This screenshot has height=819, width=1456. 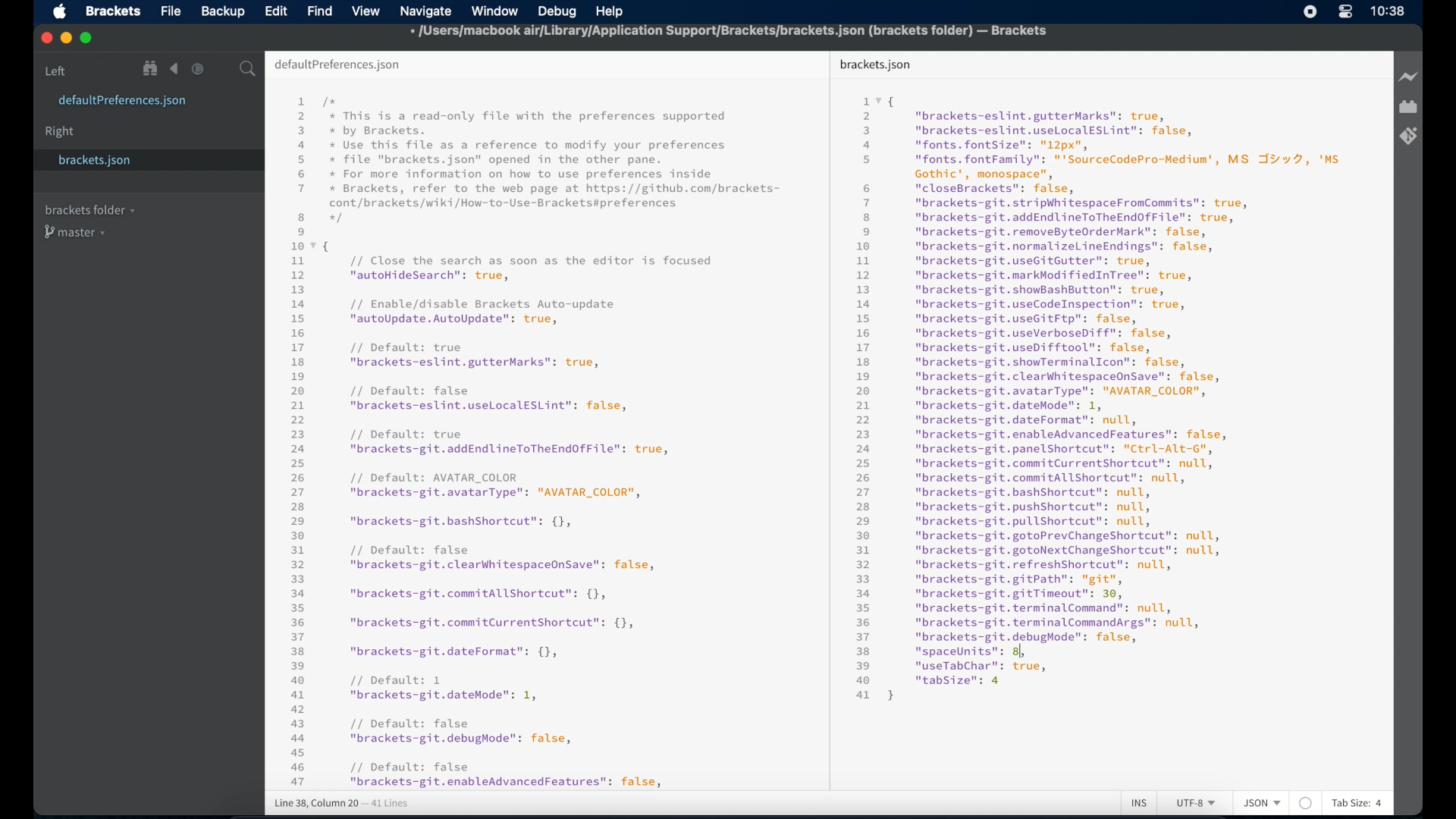 I want to click on find, so click(x=320, y=11).